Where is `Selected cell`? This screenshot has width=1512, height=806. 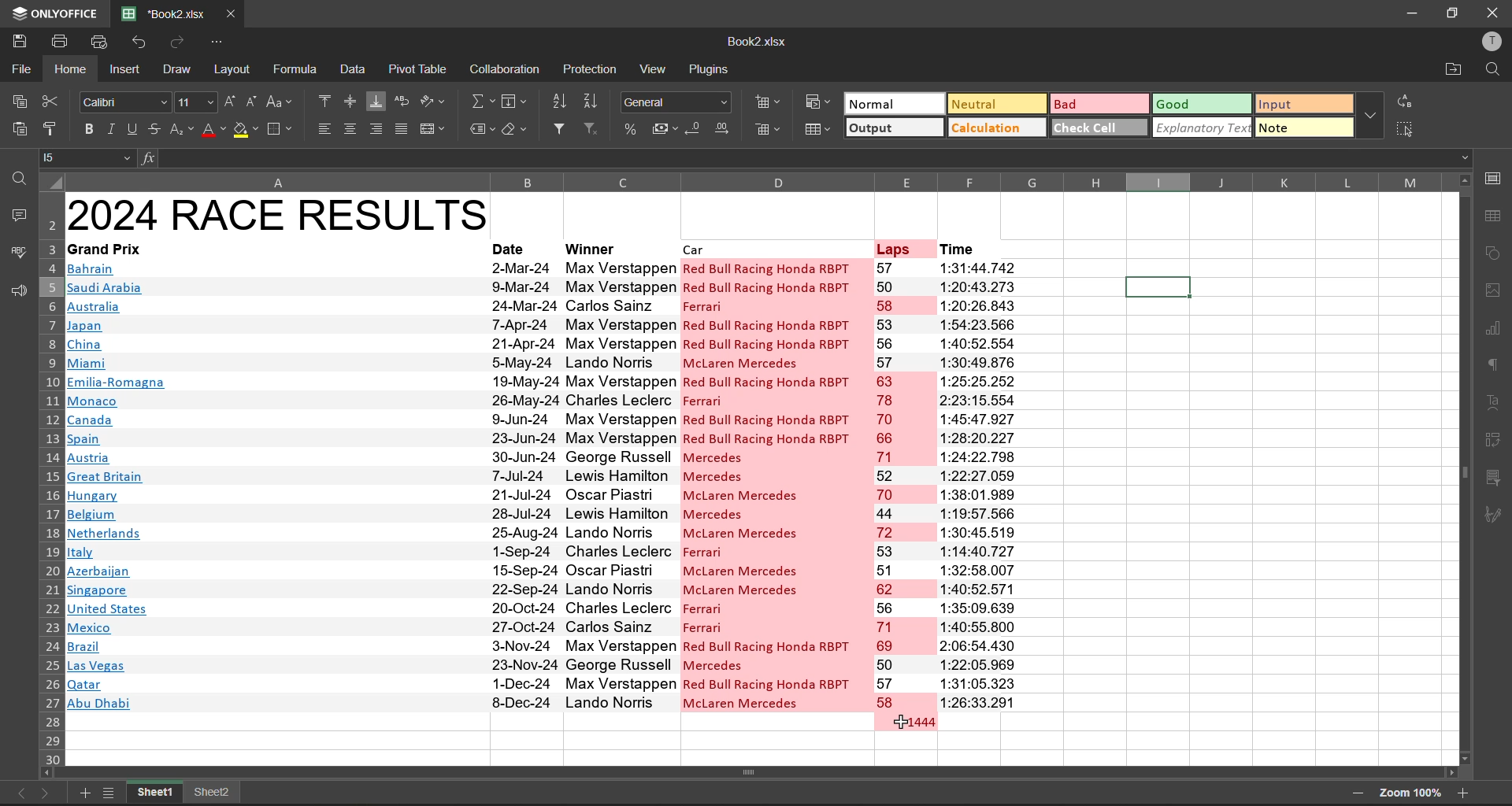
Selected cell is located at coordinates (1161, 287).